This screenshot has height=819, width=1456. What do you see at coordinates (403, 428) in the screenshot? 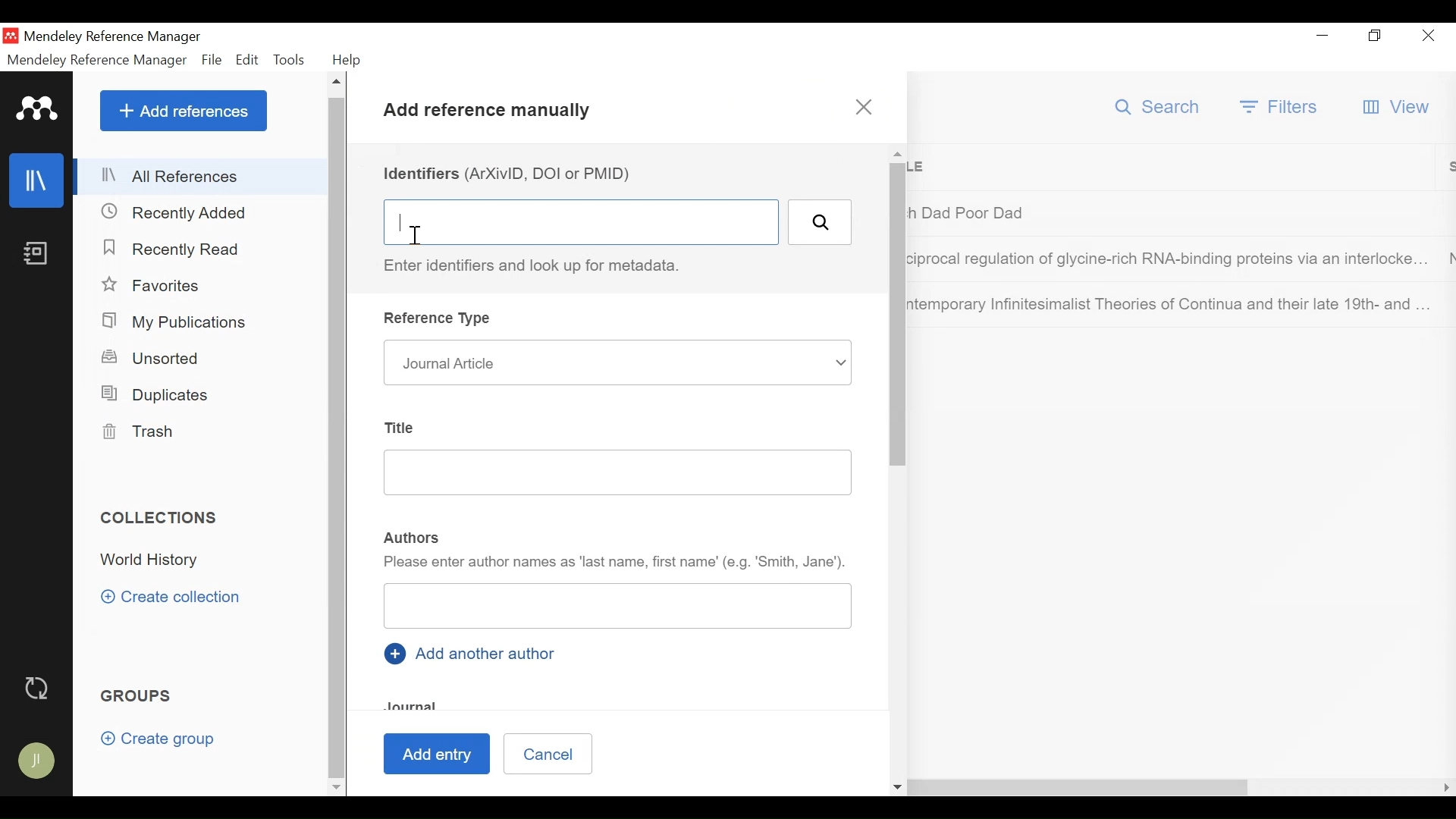
I see `Title` at bounding box center [403, 428].